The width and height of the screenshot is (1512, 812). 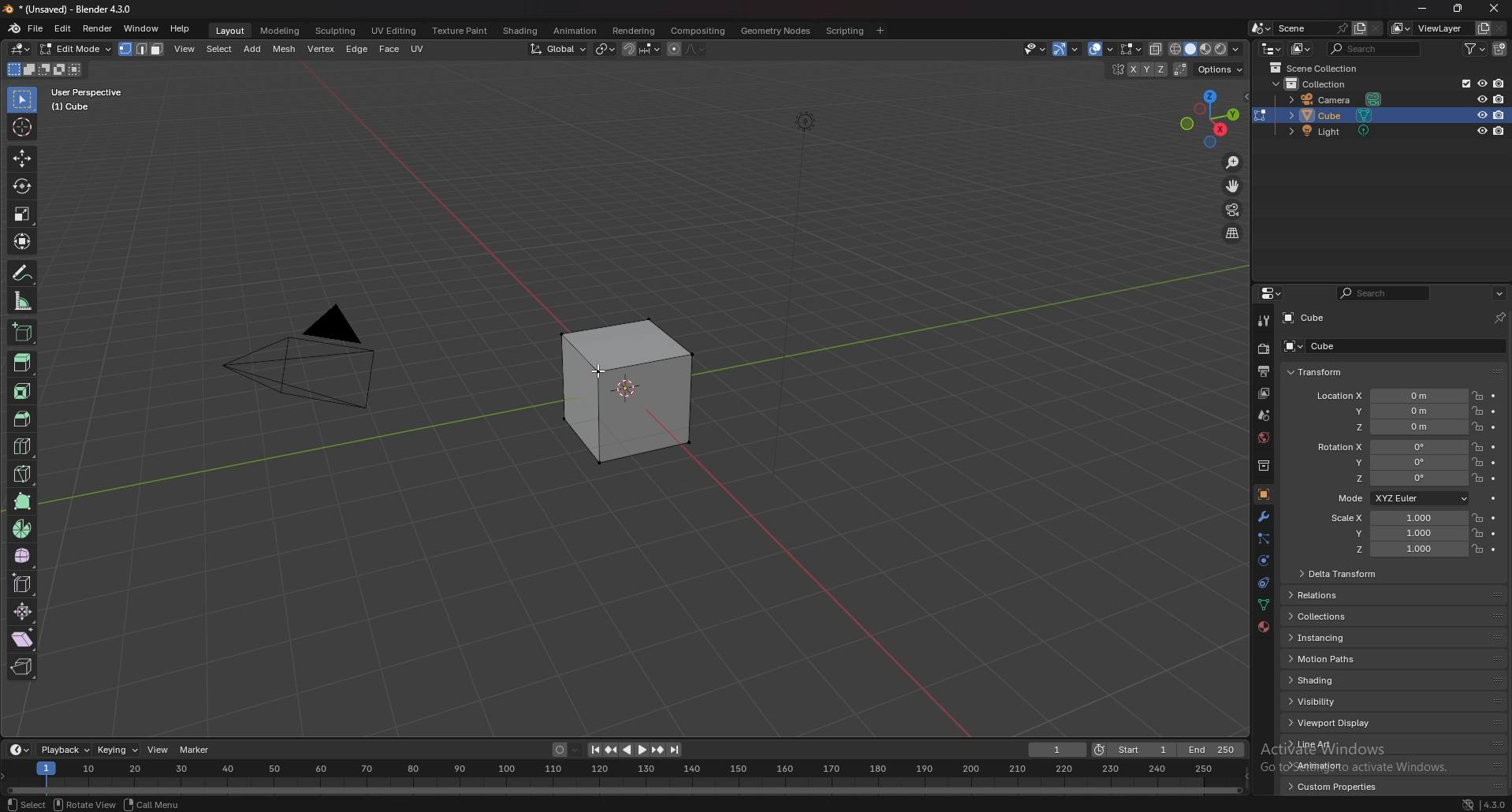 I want to click on materials, so click(x=1264, y=627).